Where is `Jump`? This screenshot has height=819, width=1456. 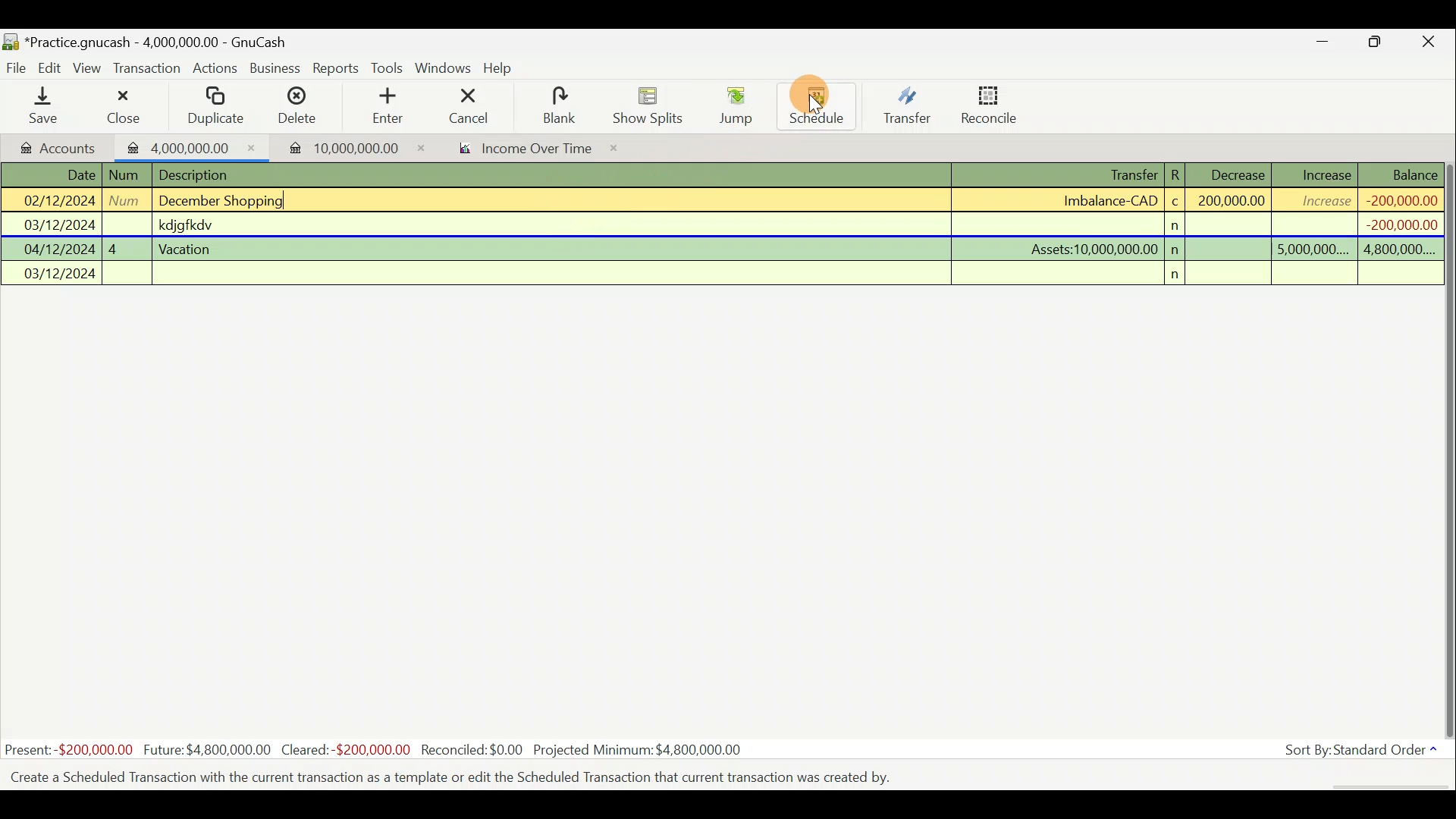 Jump is located at coordinates (731, 105).